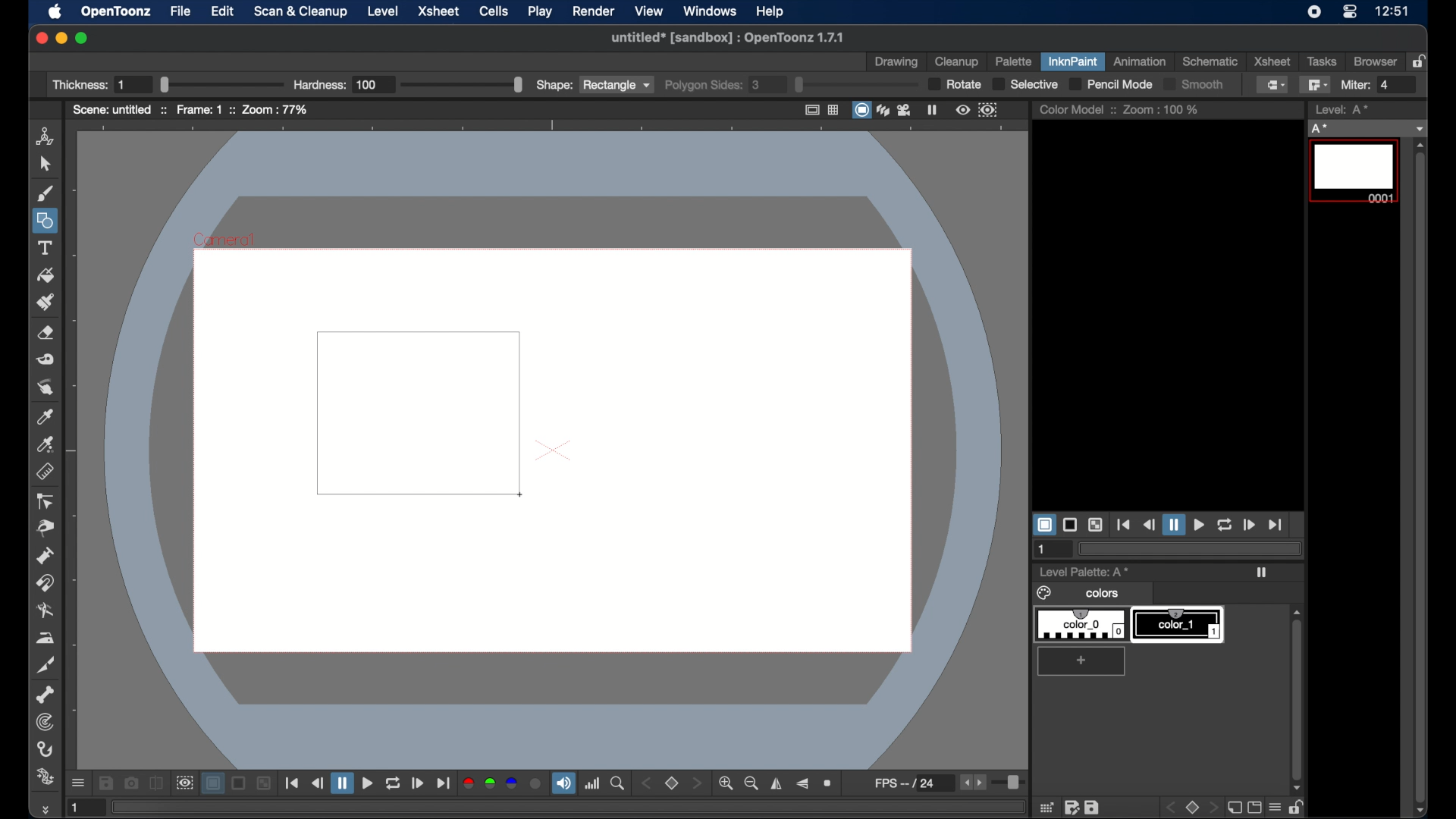 The height and width of the screenshot is (819, 1456). I want to click on play, so click(541, 11).